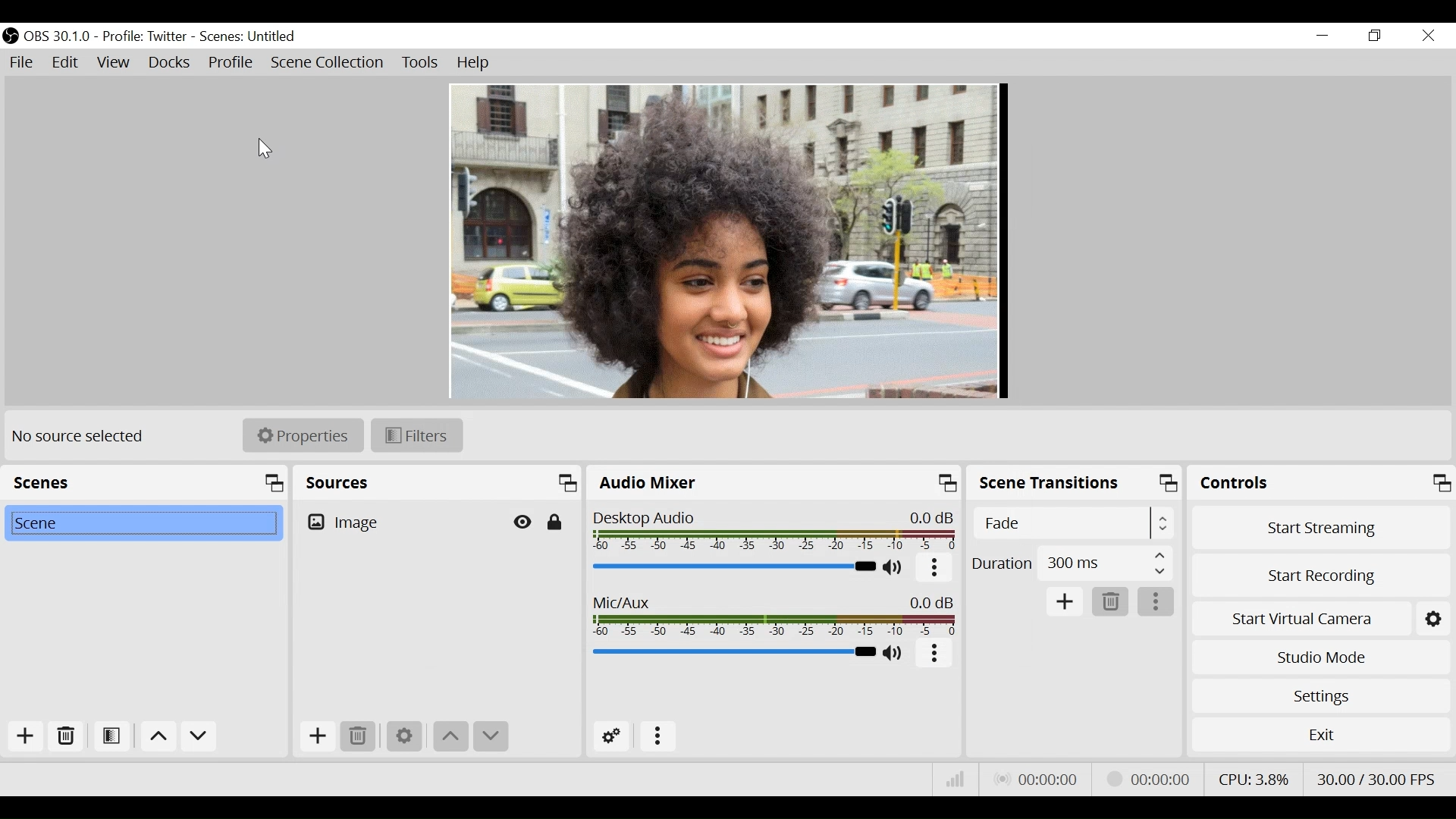  I want to click on Bitrate, so click(955, 781).